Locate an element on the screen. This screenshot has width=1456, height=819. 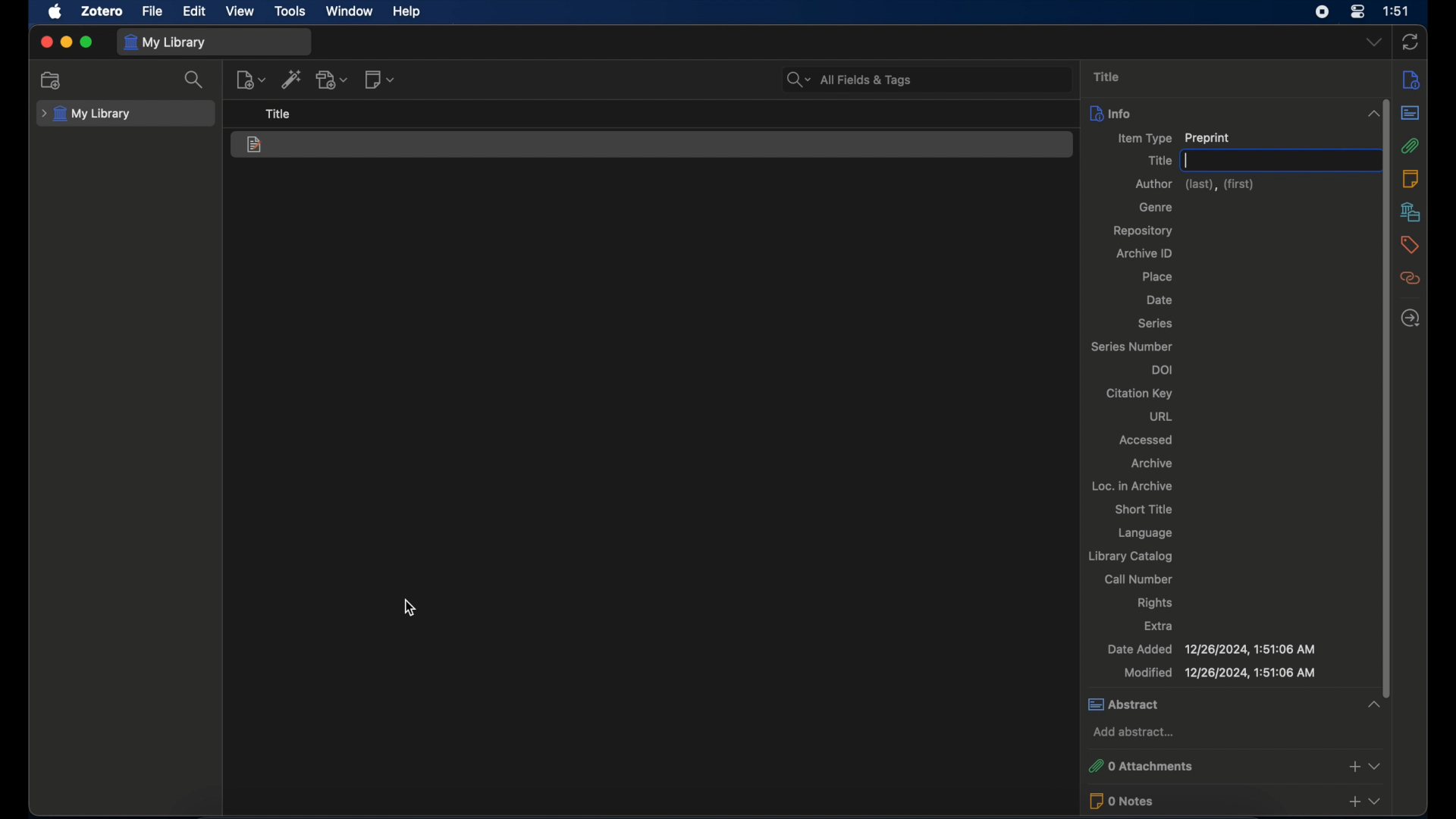
doi is located at coordinates (1161, 370).